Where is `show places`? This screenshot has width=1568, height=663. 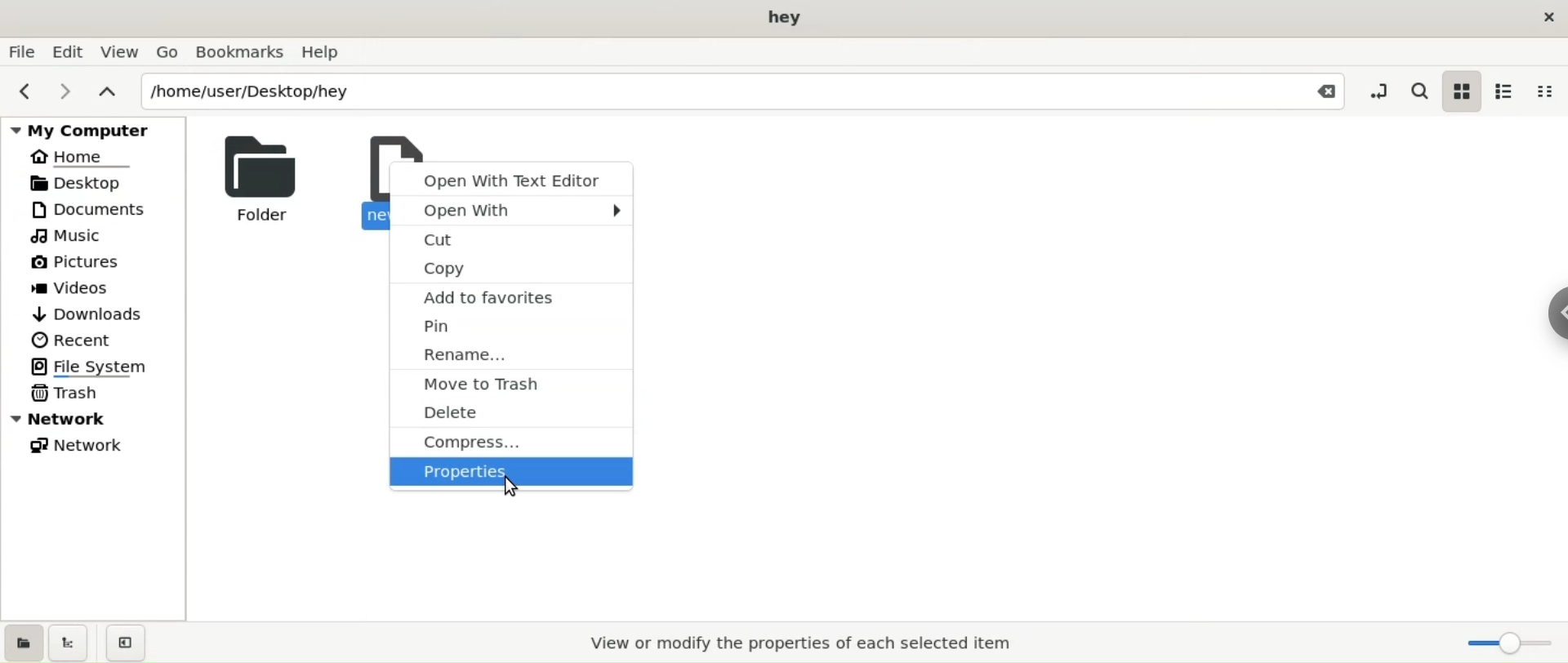 show places is located at coordinates (23, 642).